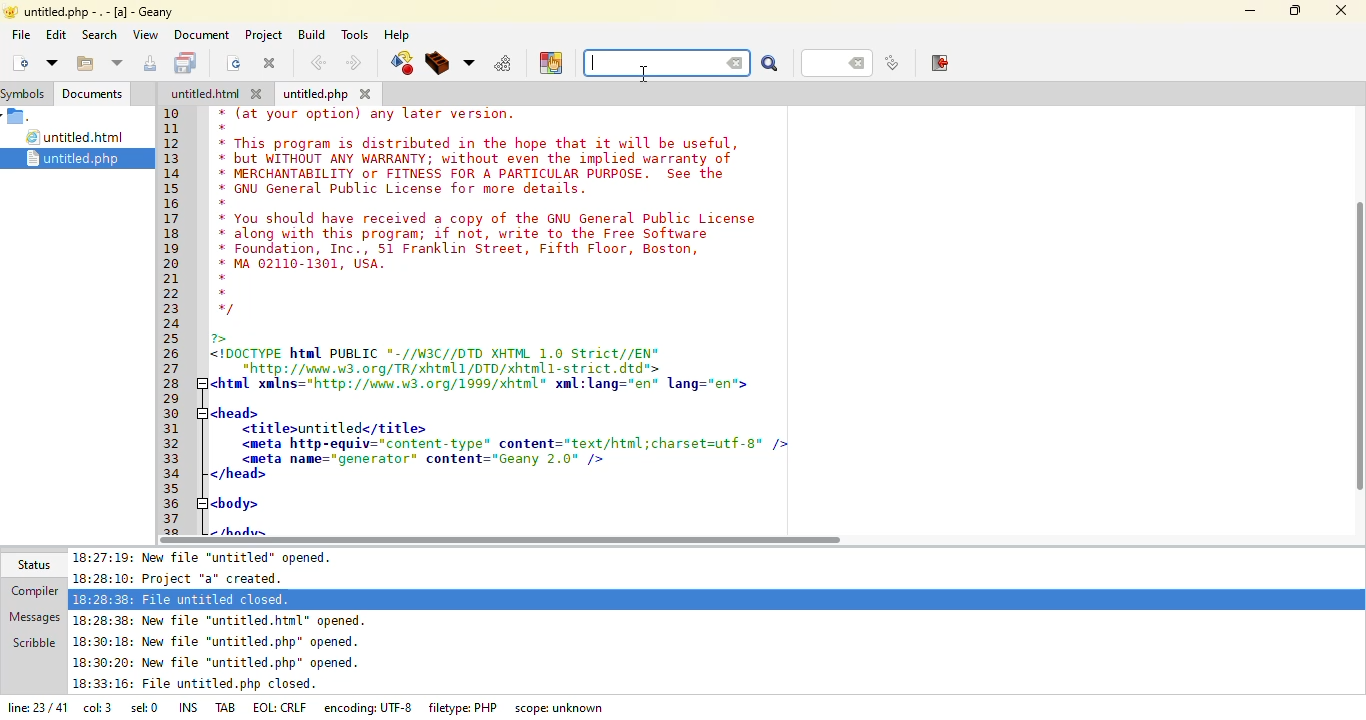 The width and height of the screenshot is (1366, 720). I want to click on */, so click(226, 310).